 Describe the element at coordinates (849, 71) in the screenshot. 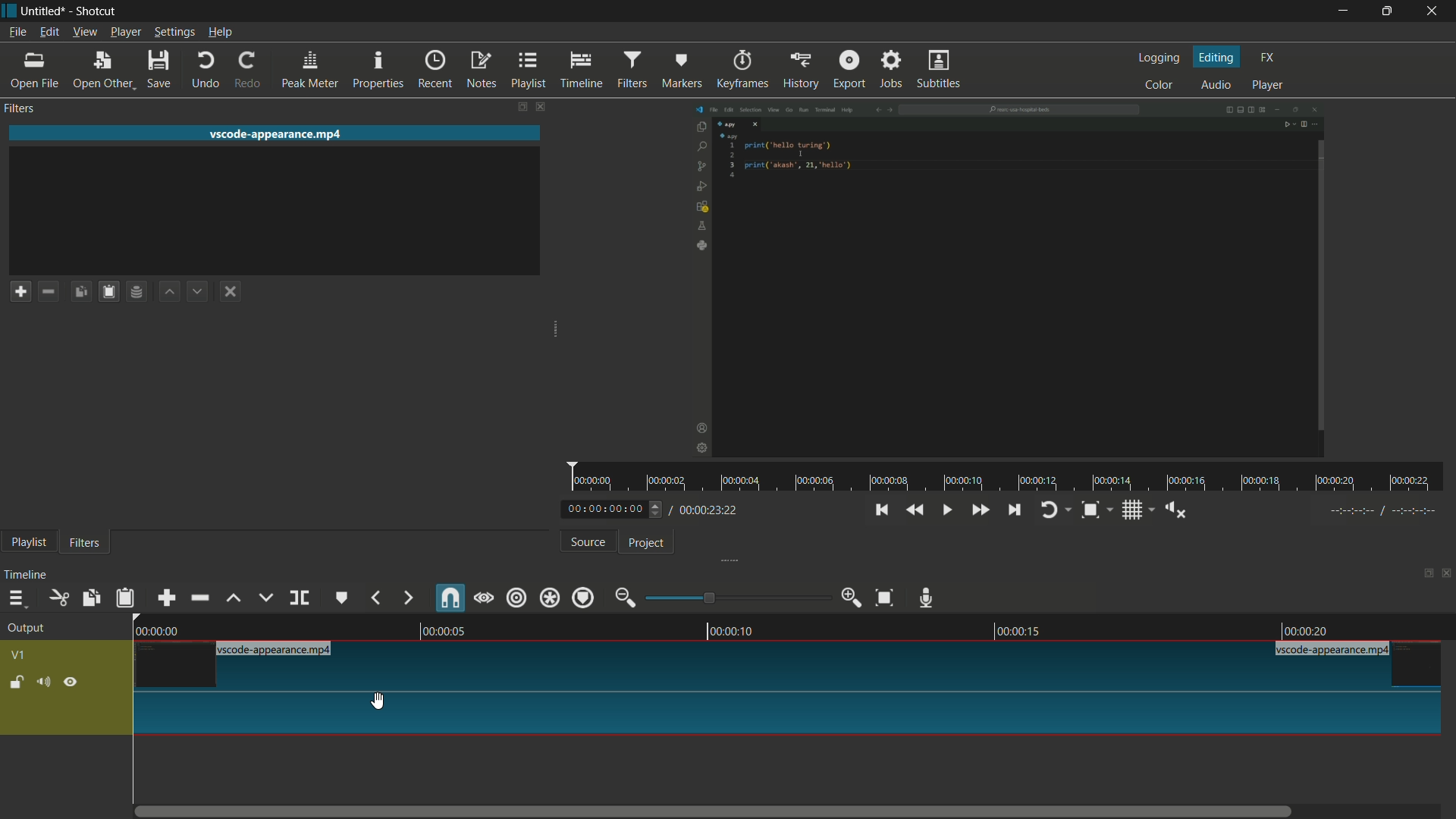

I see `export` at that location.